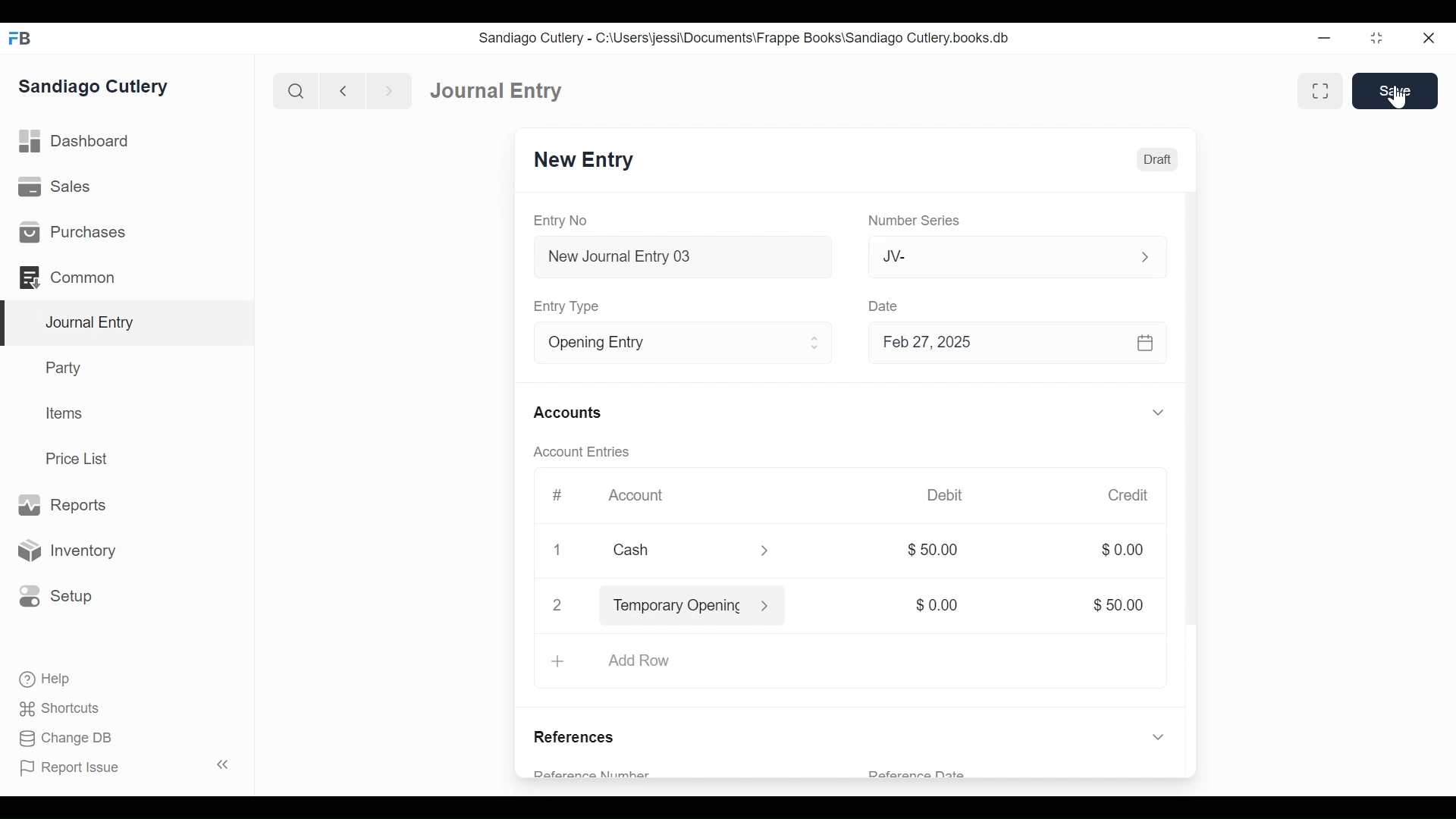  Describe the element at coordinates (679, 257) in the screenshot. I see `New Journal Entry 03` at that location.